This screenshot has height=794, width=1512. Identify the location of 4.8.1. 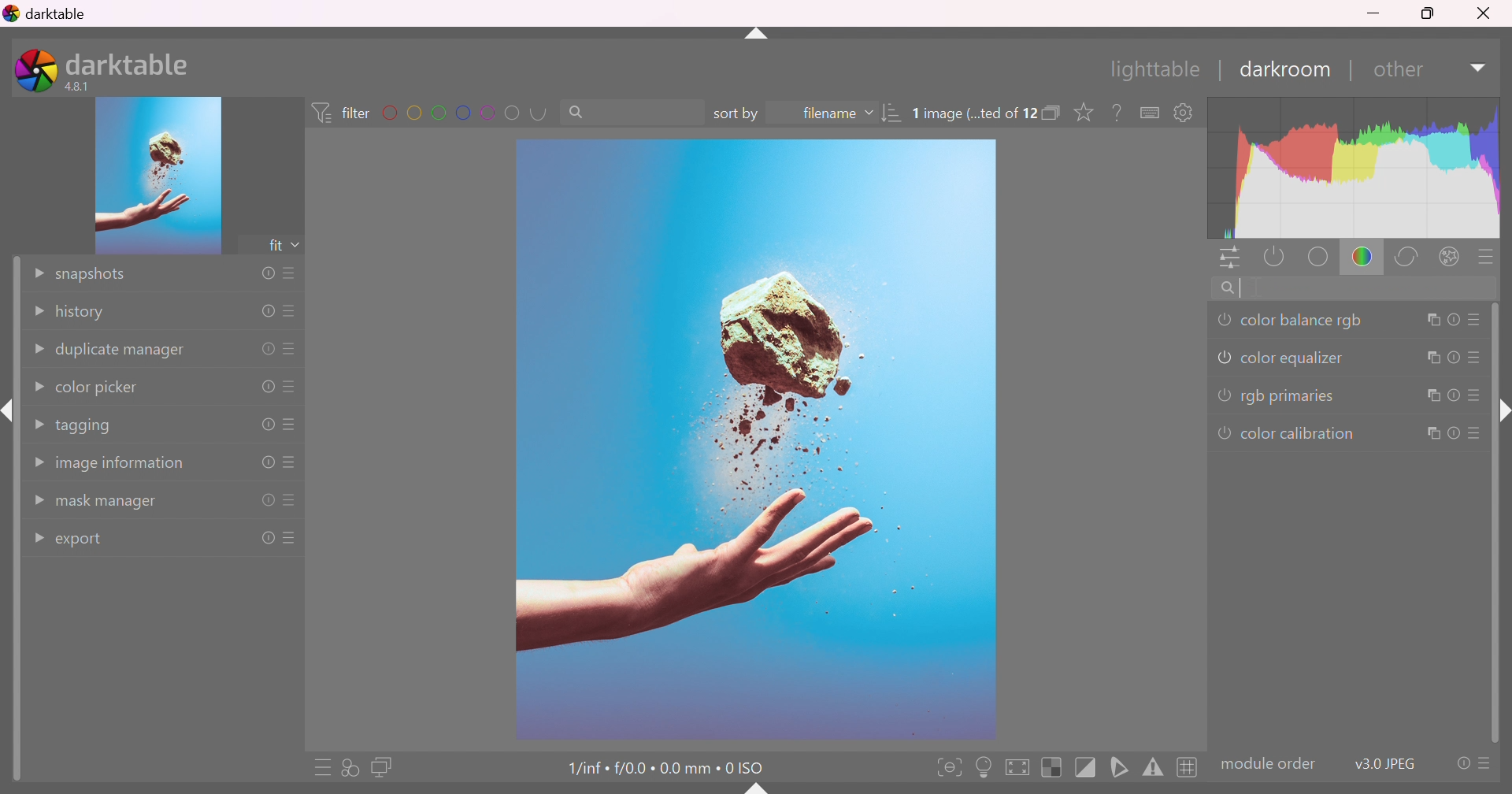
(82, 86).